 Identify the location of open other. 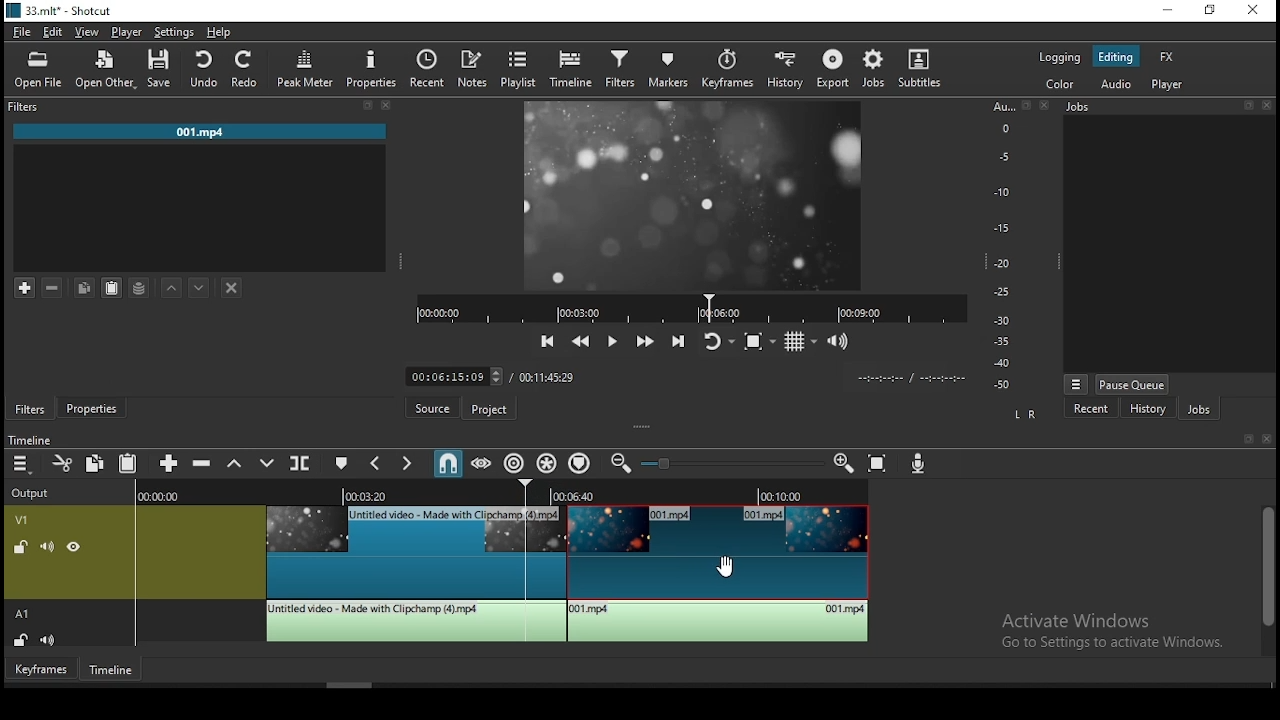
(105, 70).